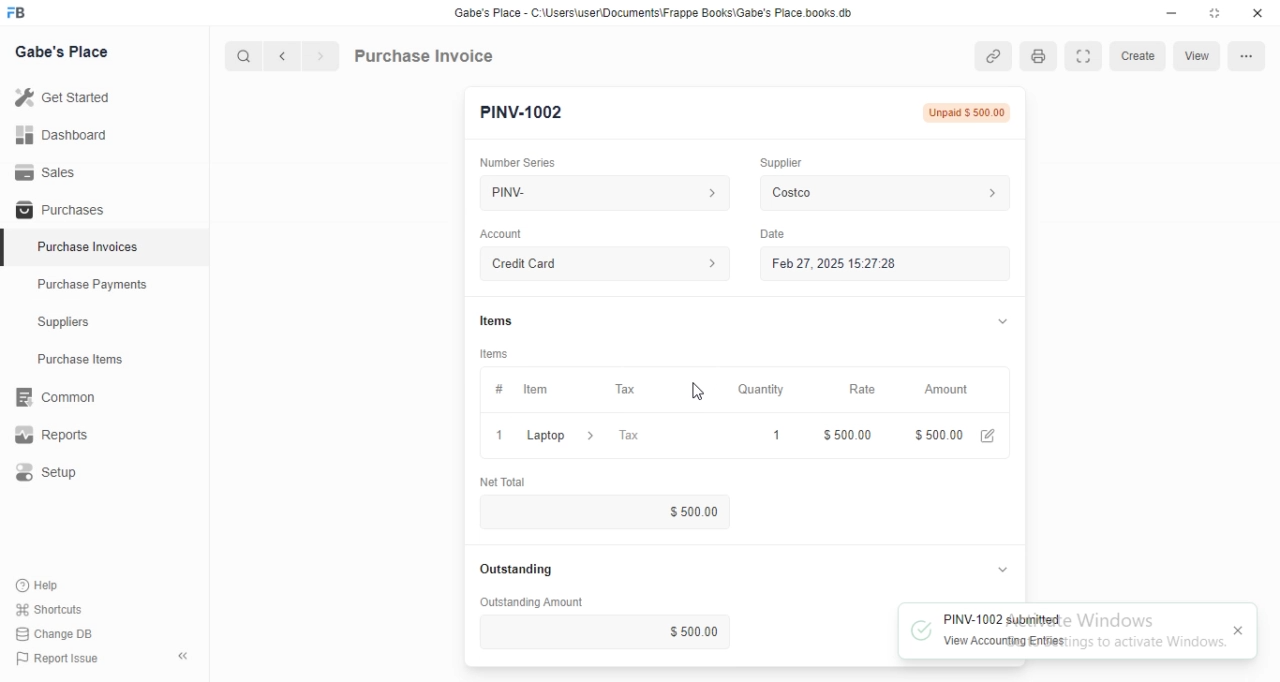 This screenshot has height=682, width=1280. I want to click on Date, so click(771, 234).